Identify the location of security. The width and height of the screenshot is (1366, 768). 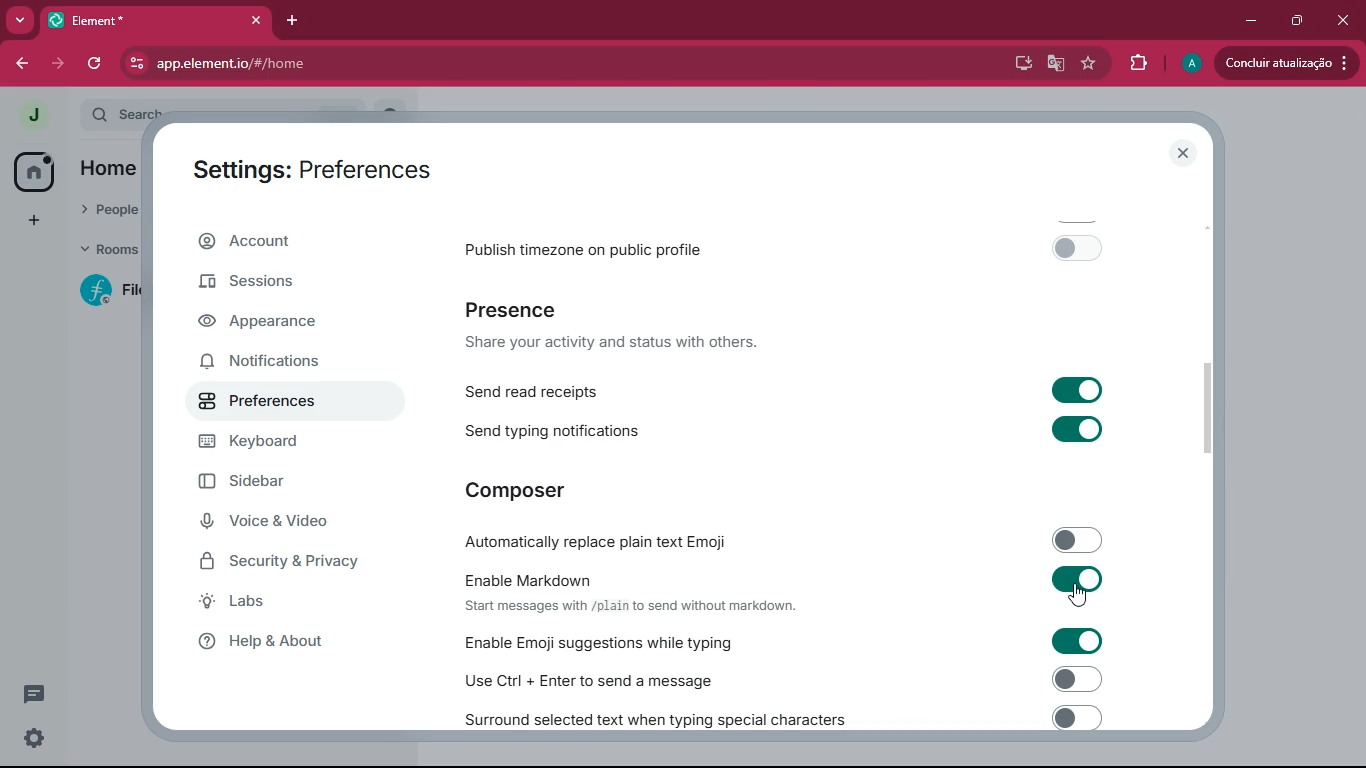
(292, 563).